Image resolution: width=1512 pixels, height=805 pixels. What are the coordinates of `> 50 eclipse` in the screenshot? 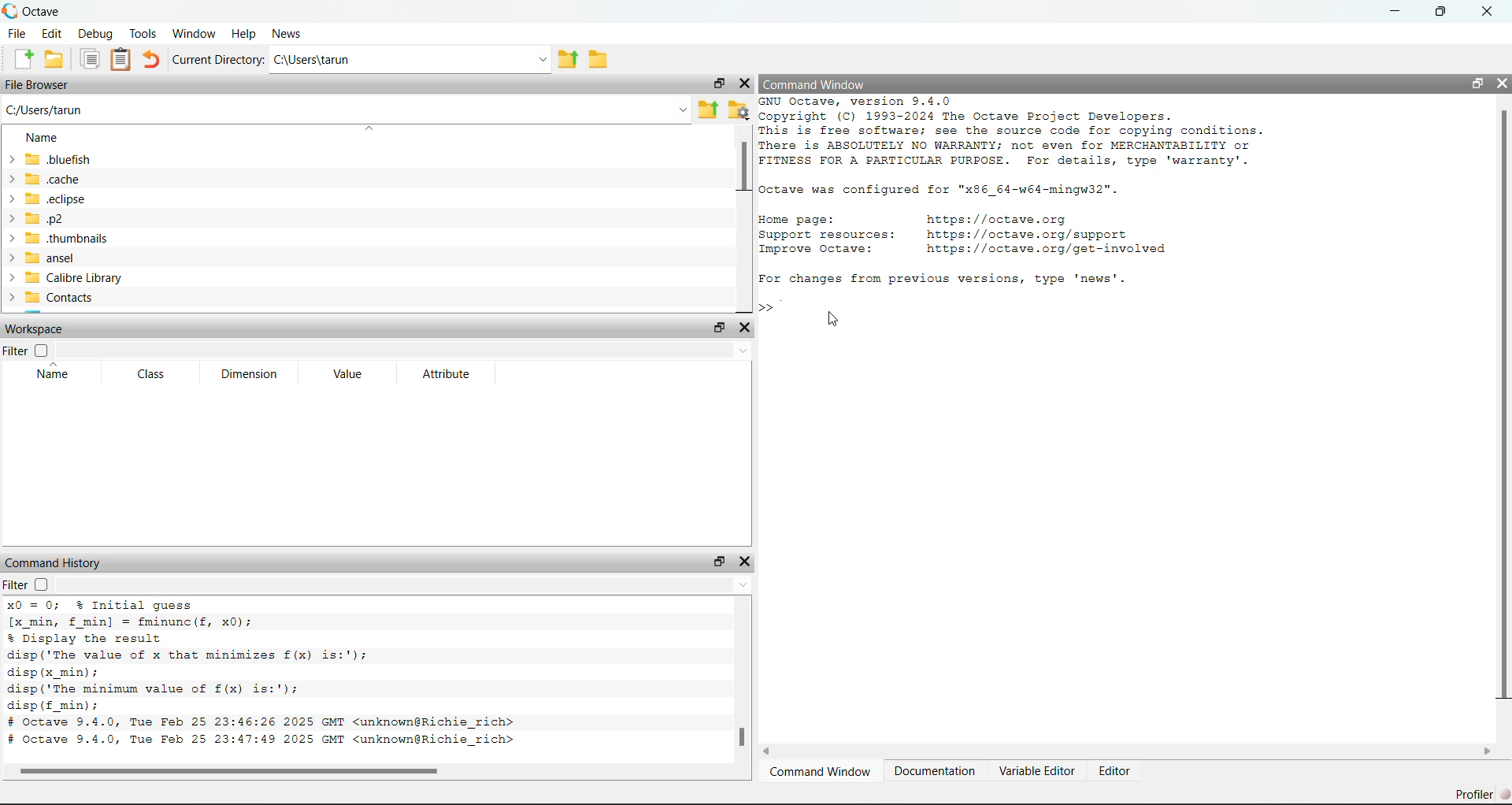 It's located at (50, 199).